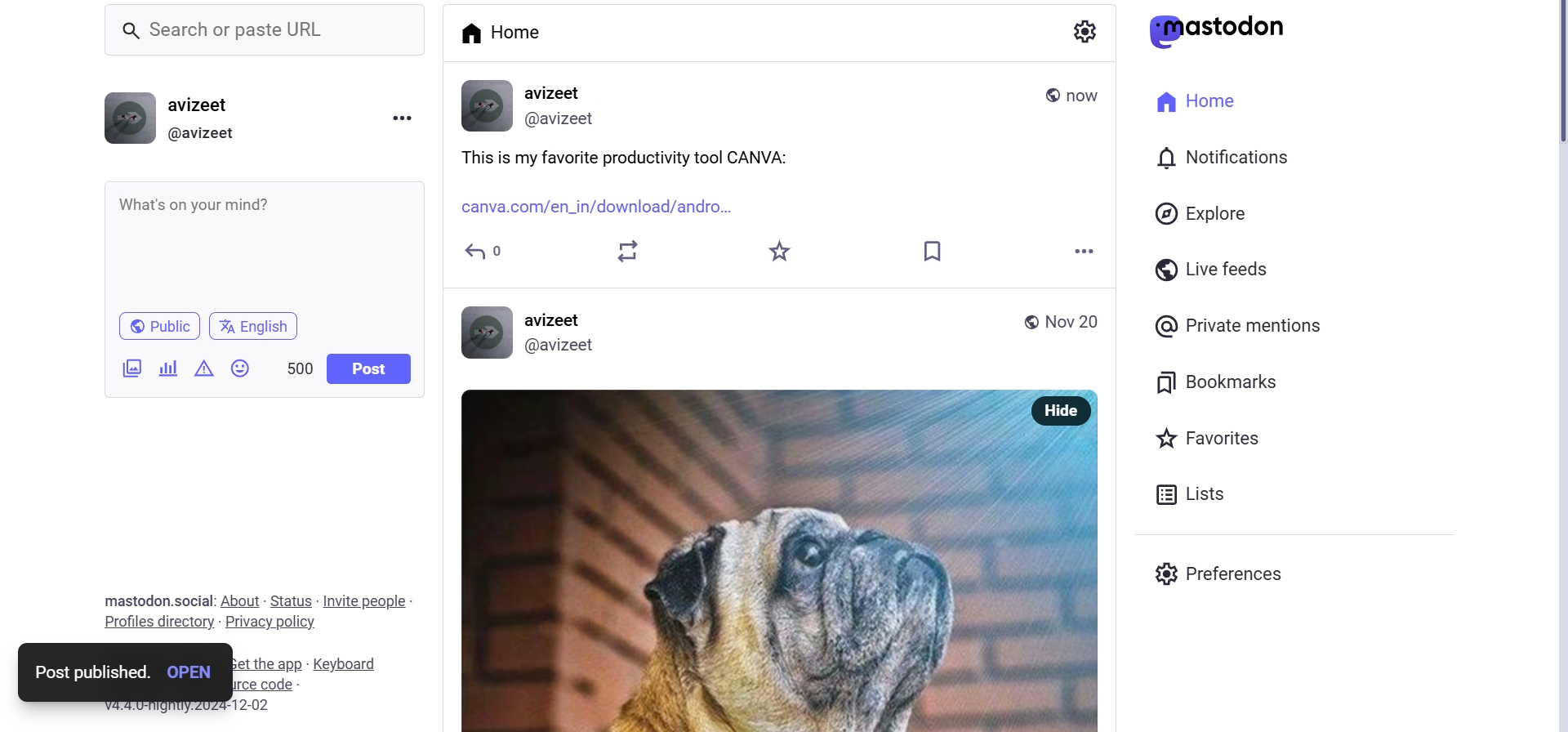 This screenshot has width=1568, height=732. Describe the element at coordinates (1240, 159) in the screenshot. I see `notification` at that location.